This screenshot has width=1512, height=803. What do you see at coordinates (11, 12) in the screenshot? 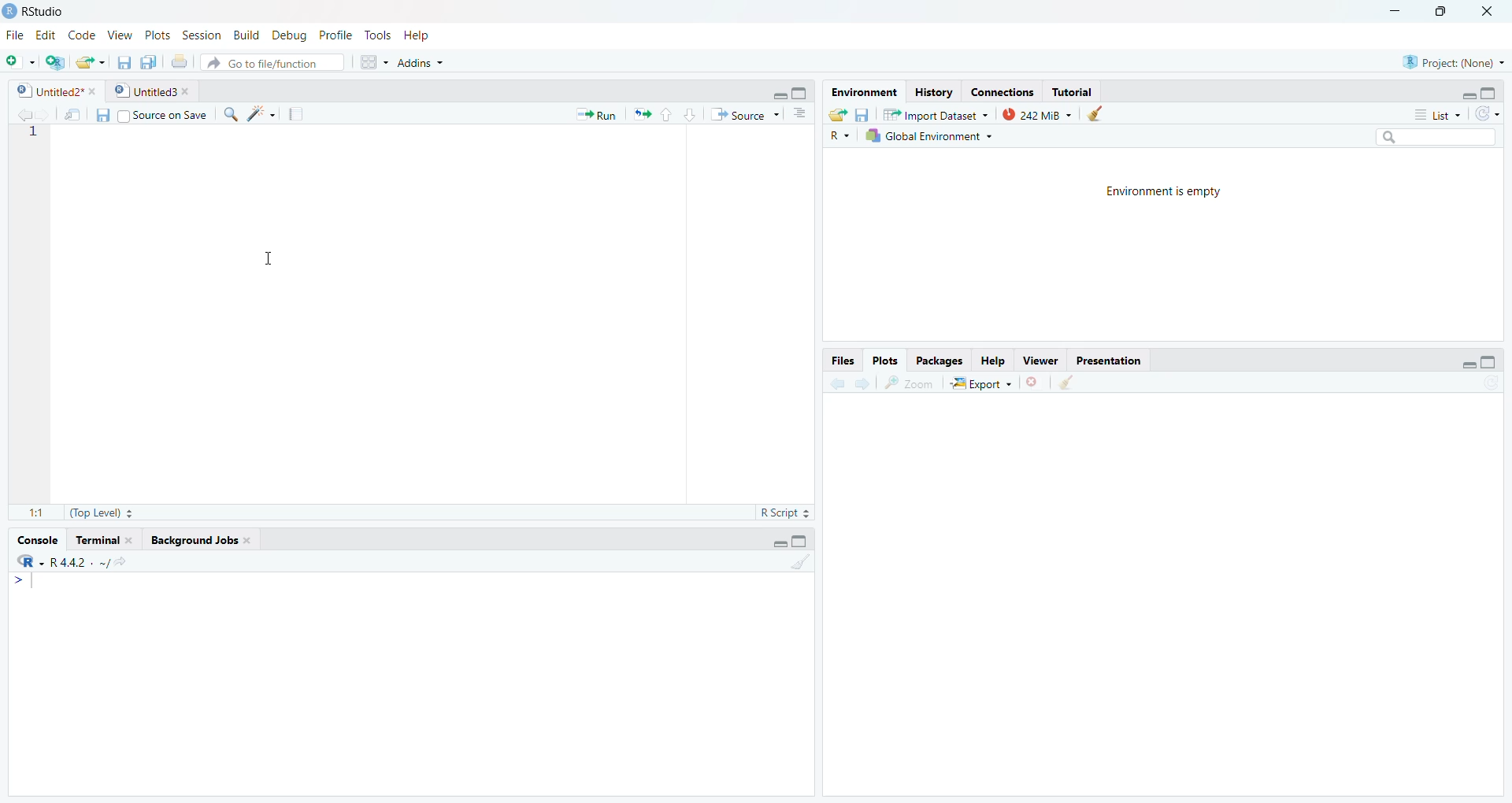
I see `logo` at bounding box center [11, 12].